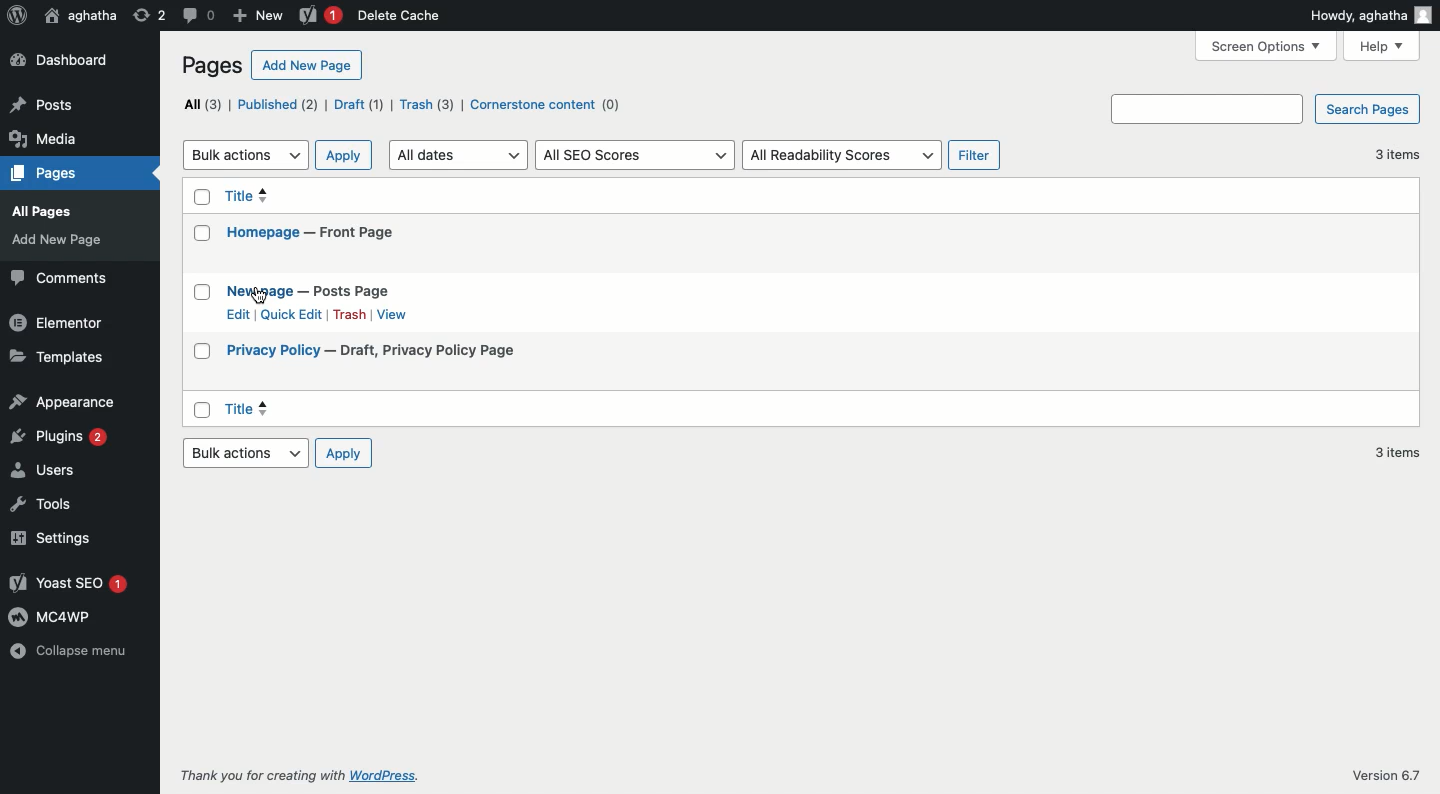 This screenshot has width=1440, height=794. Describe the element at coordinates (396, 352) in the screenshot. I see `privacy policy- draft, privacy policy pages` at that location.